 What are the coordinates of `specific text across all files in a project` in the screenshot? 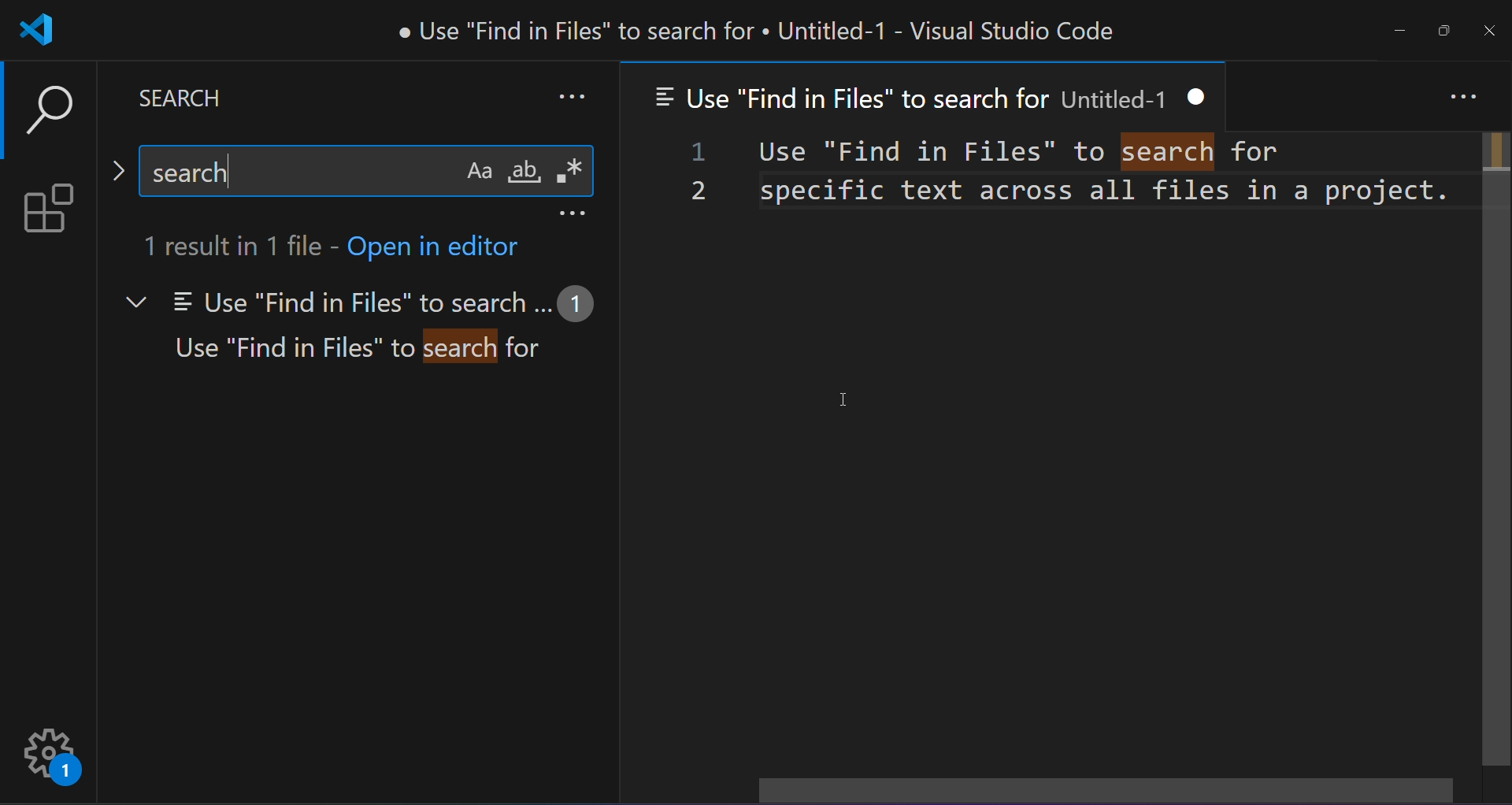 It's located at (1092, 197).